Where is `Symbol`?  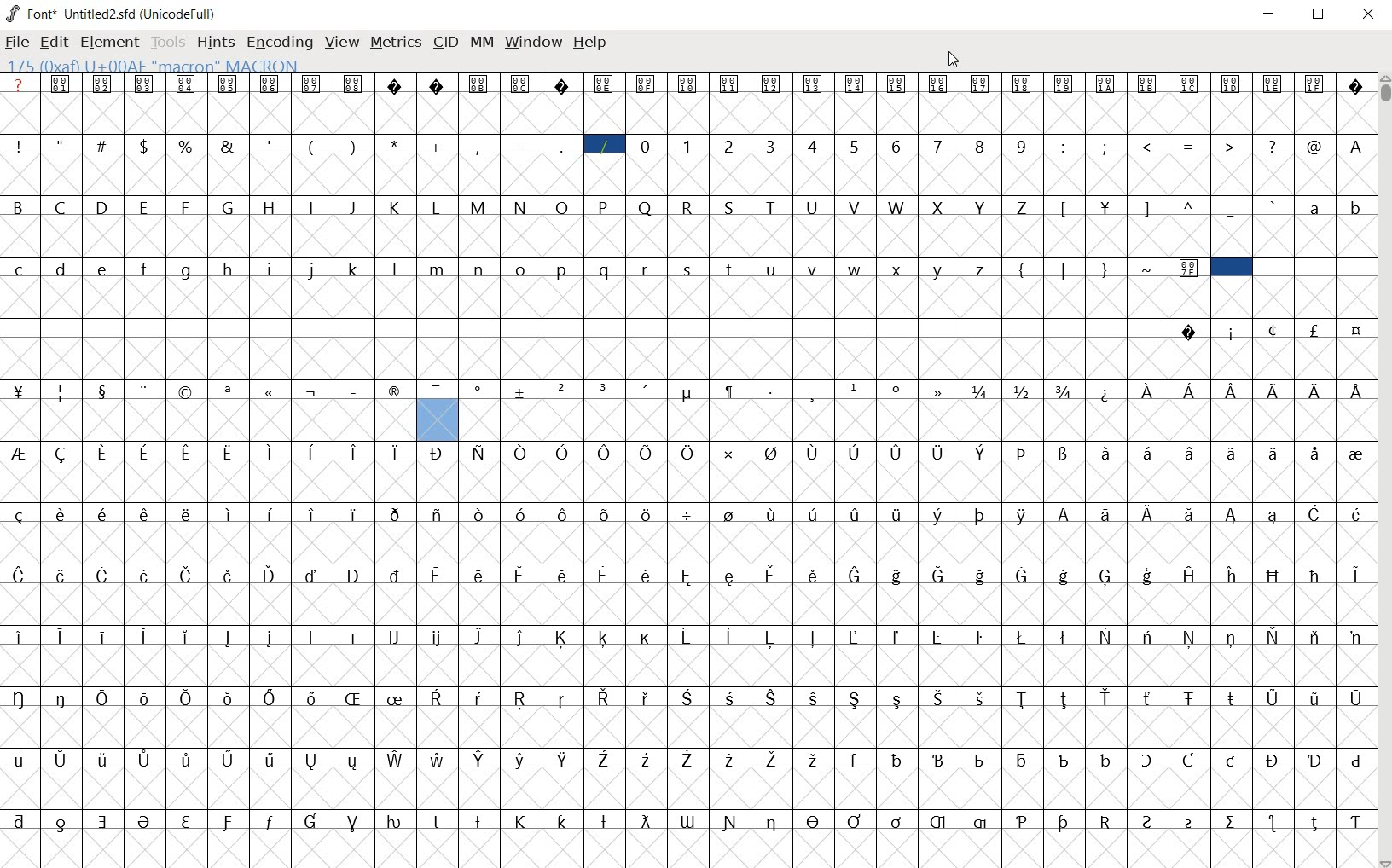
Symbol is located at coordinates (479, 638).